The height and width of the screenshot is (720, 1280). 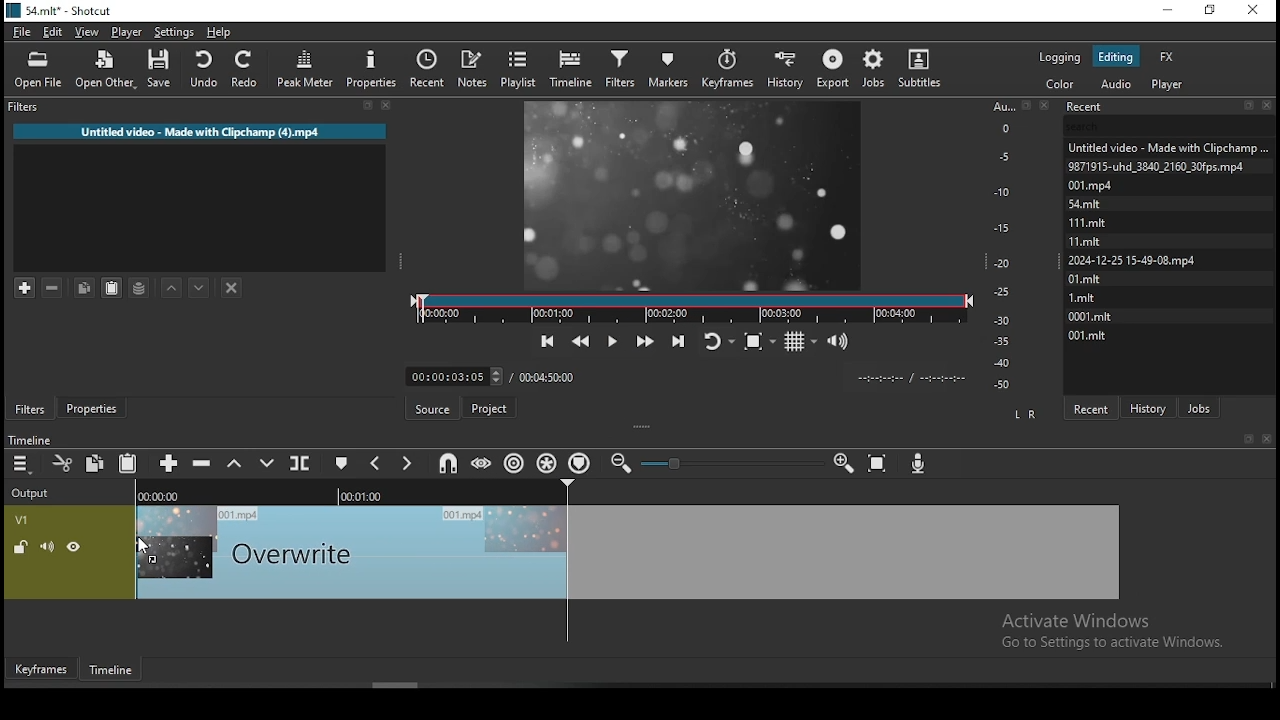 What do you see at coordinates (729, 69) in the screenshot?
I see `keyframes` at bounding box center [729, 69].